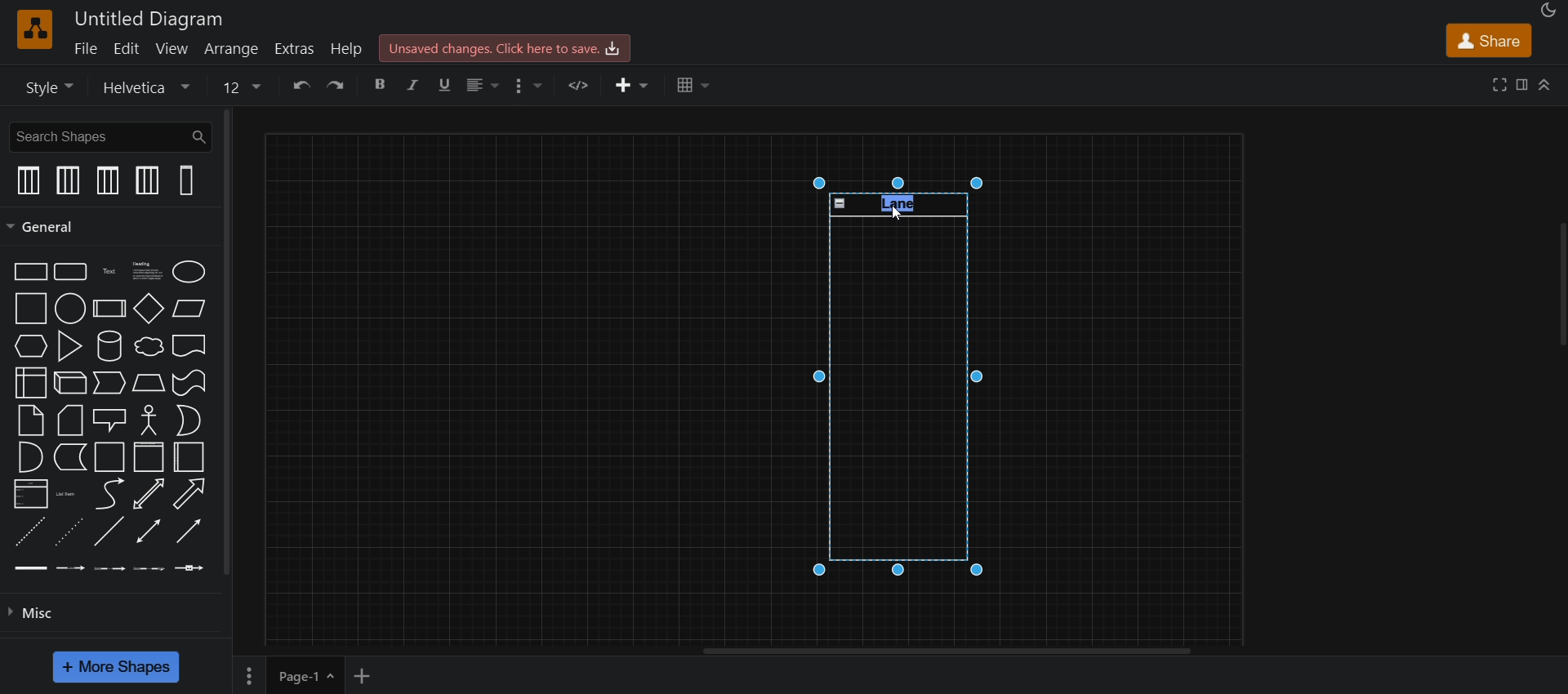 The width and height of the screenshot is (1568, 694). Describe the element at coordinates (245, 86) in the screenshot. I see `font size` at that location.